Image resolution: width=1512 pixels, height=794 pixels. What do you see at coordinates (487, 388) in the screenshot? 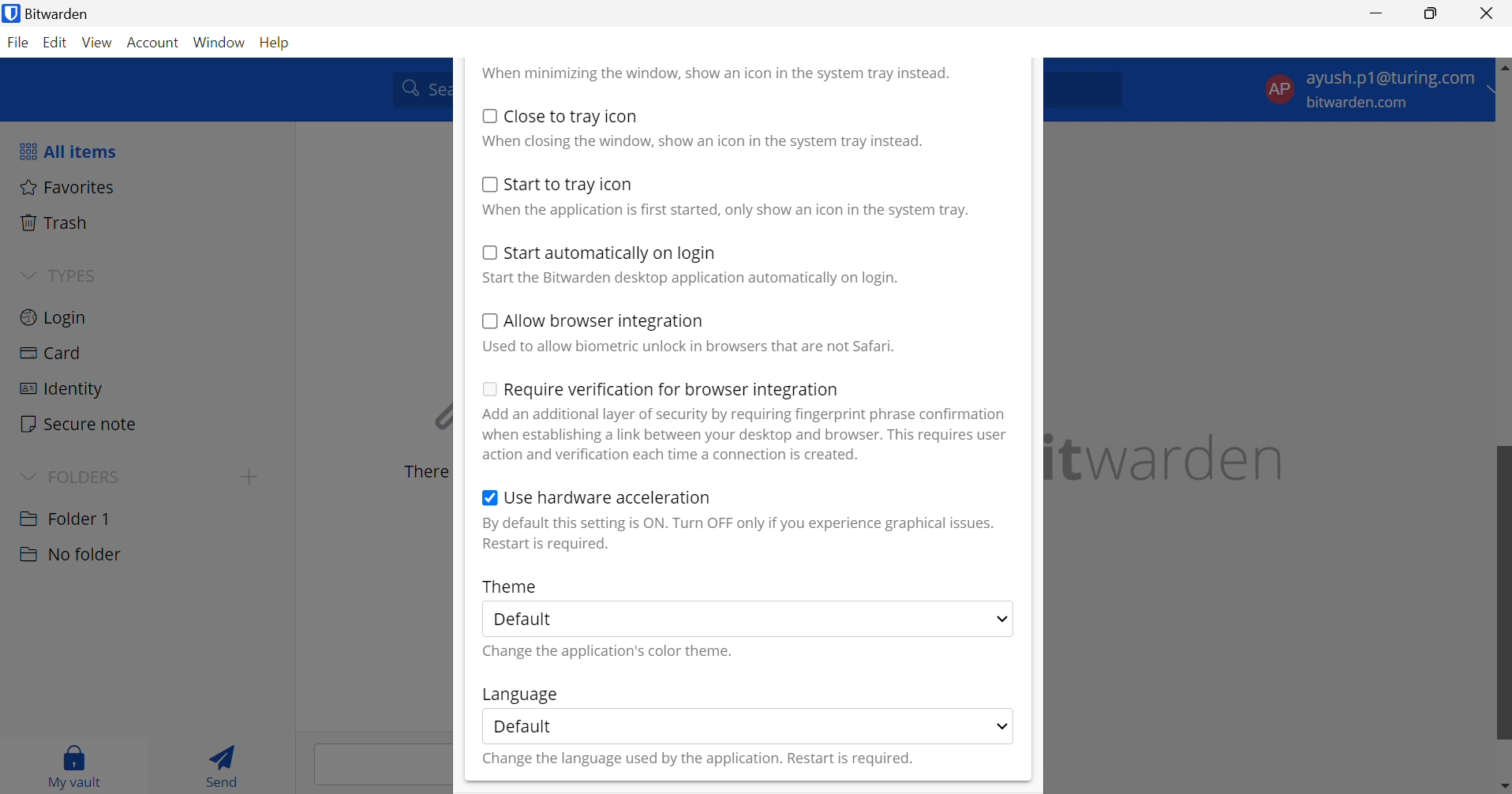
I see `Checkbox` at bounding box center [487, 388].